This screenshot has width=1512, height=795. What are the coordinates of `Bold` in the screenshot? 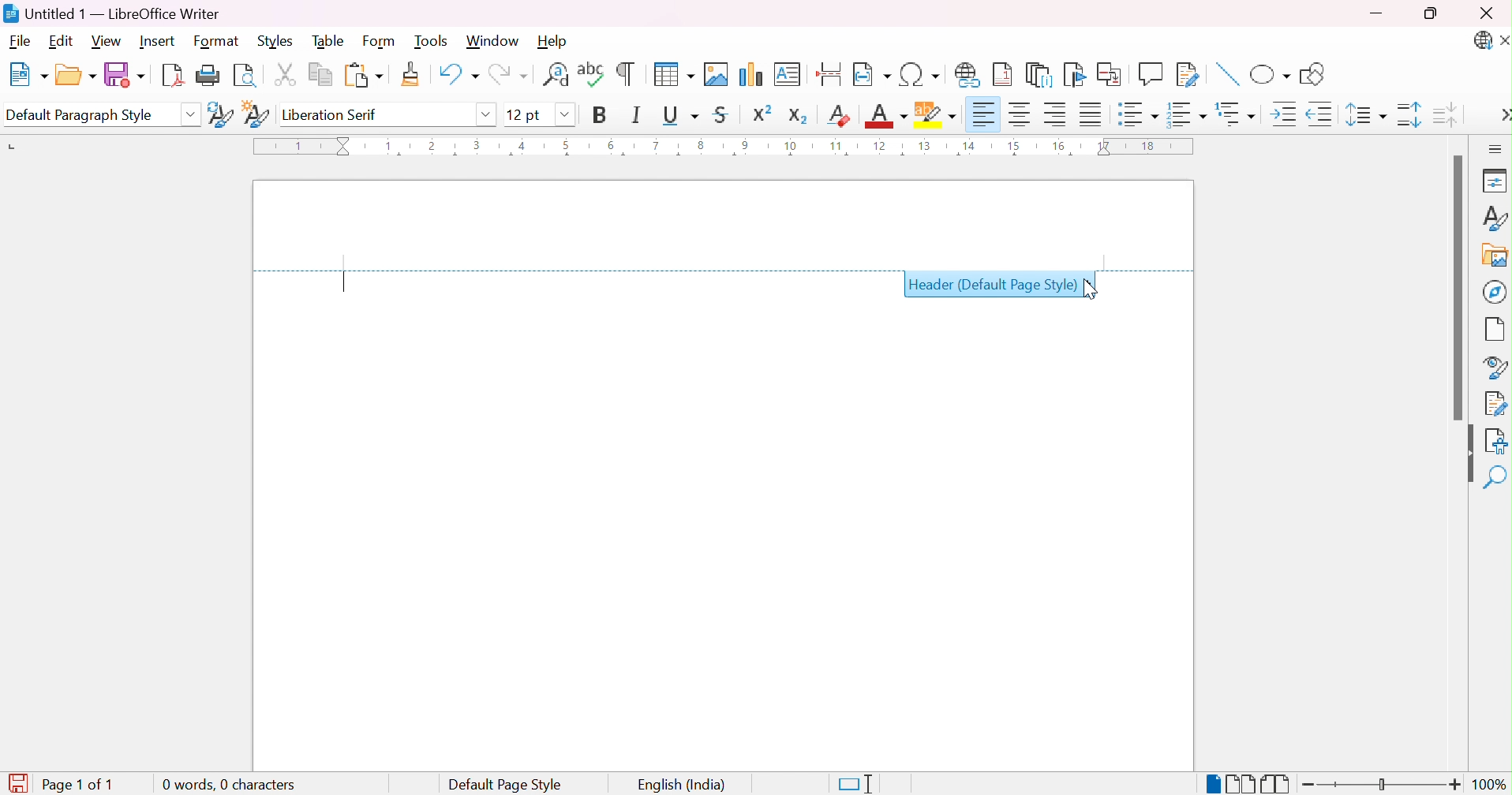 It's located at (602, 116).